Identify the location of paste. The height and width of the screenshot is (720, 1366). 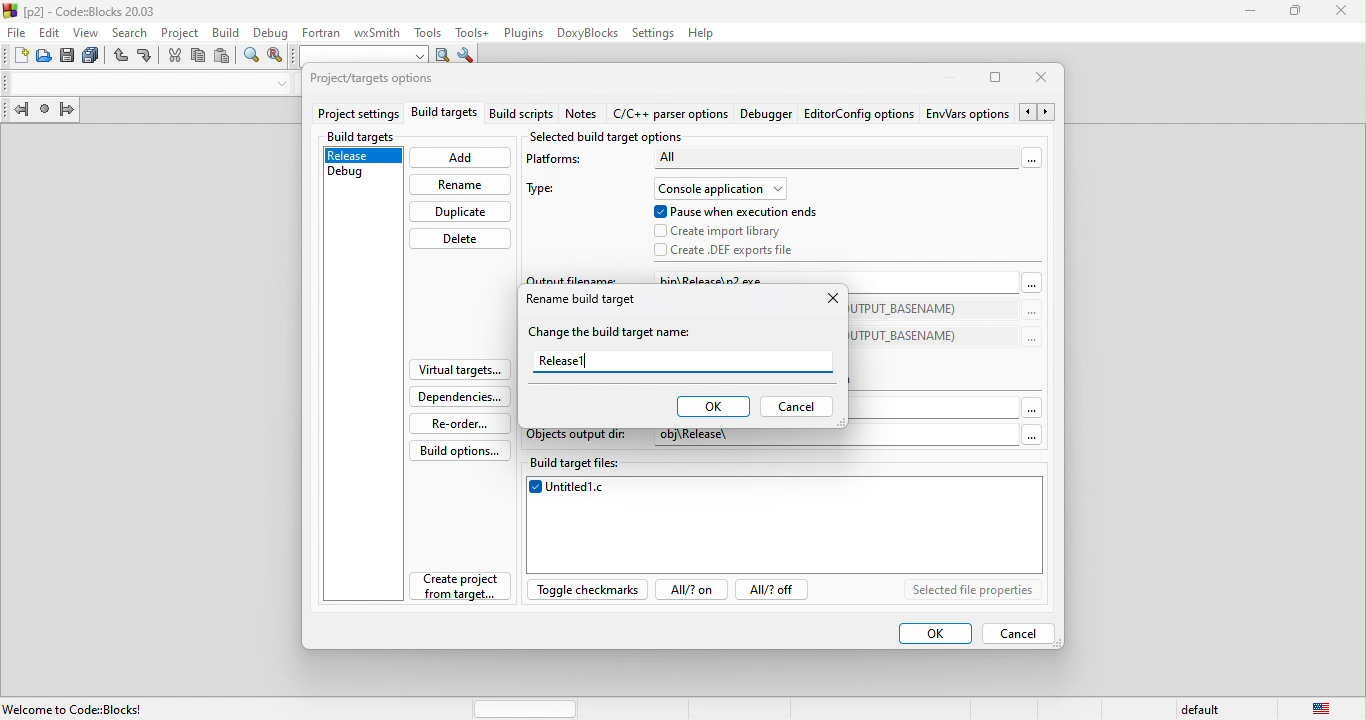
(222, 57).